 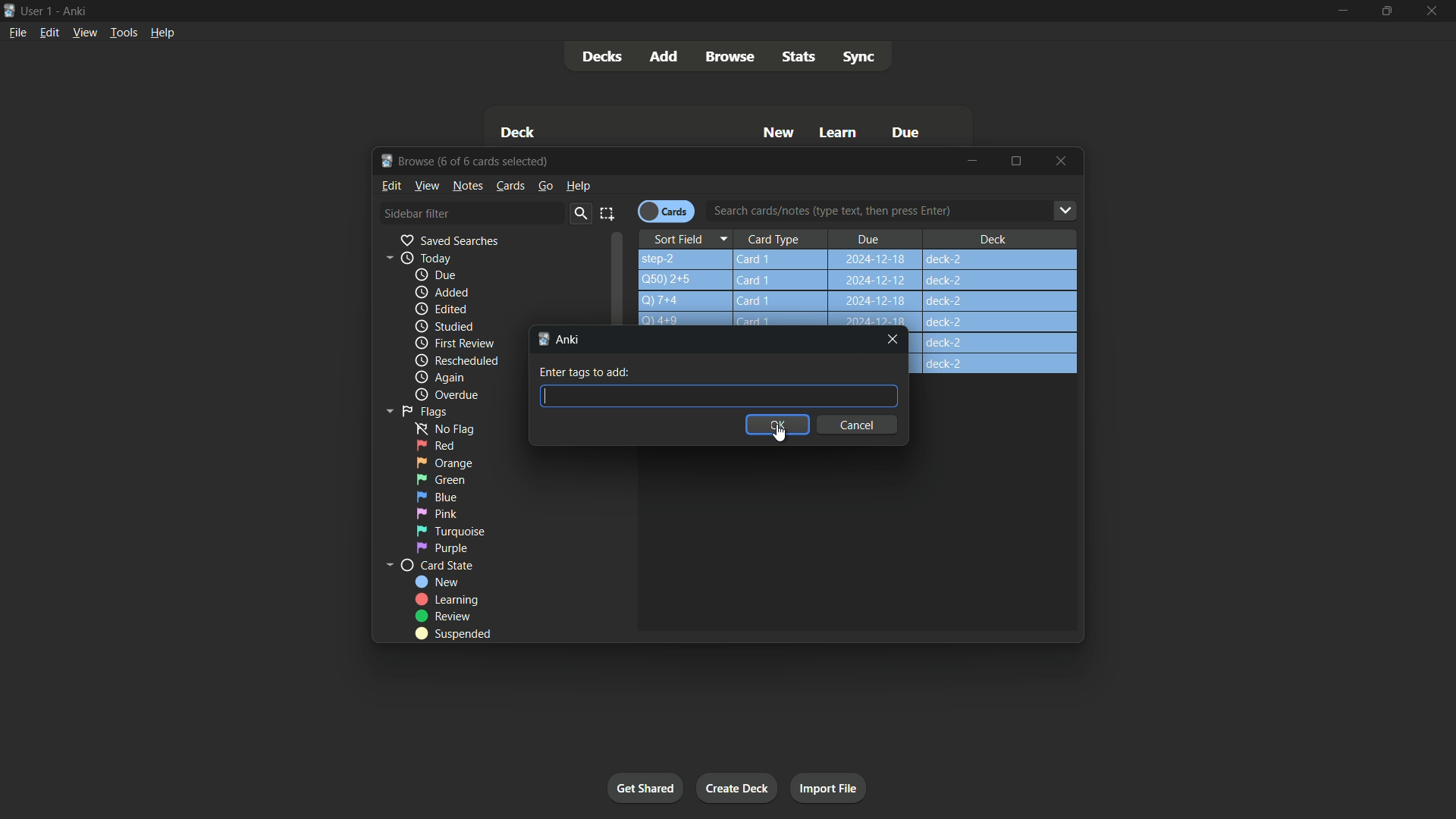 What do you see at coordinates (1062, 162) in the screenshot?
I see `Close browse` at bounding box center [1062, 162].